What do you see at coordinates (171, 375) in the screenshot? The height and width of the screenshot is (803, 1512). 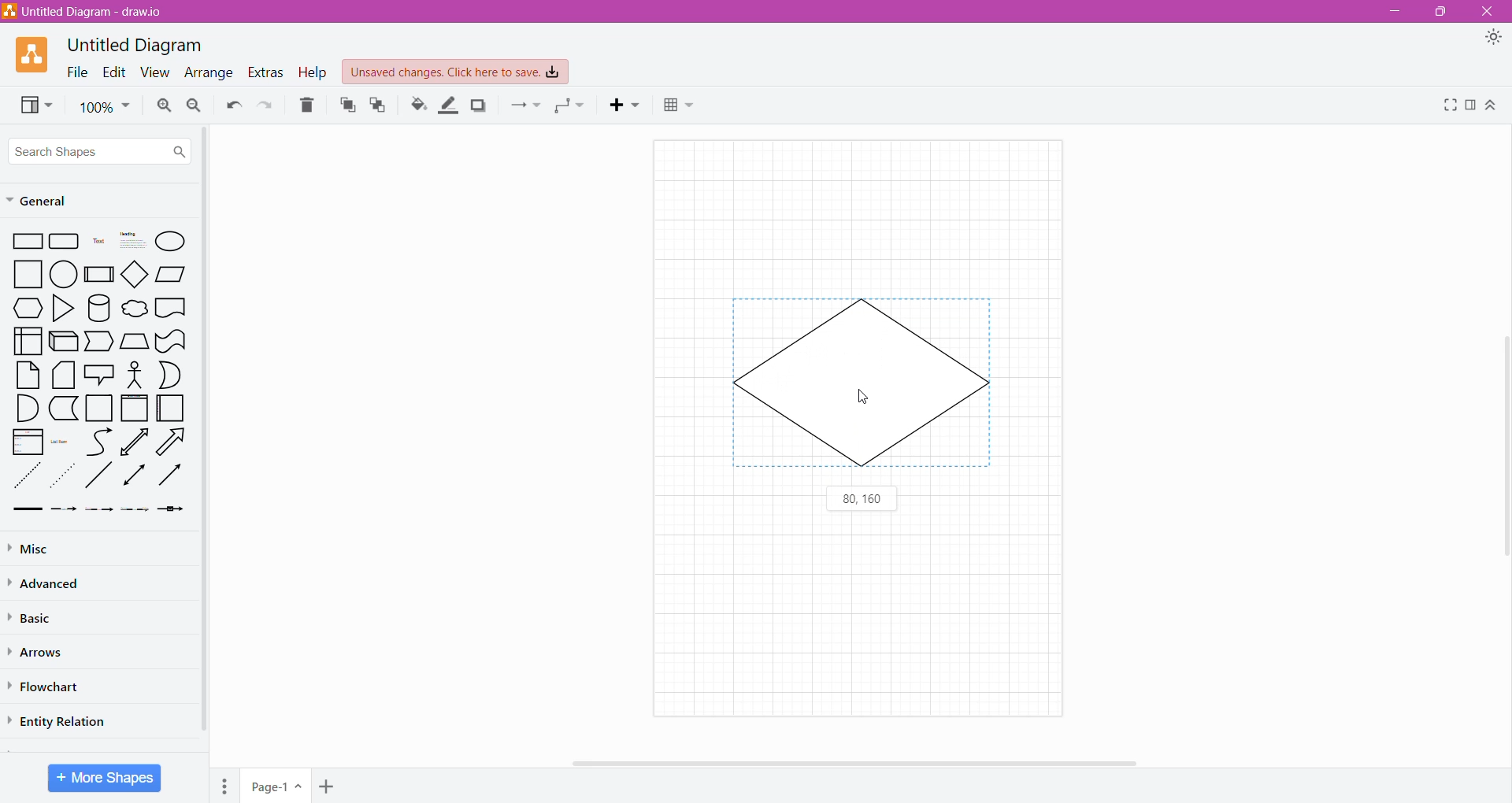 I see `Or` at bounding box center [171, 375].